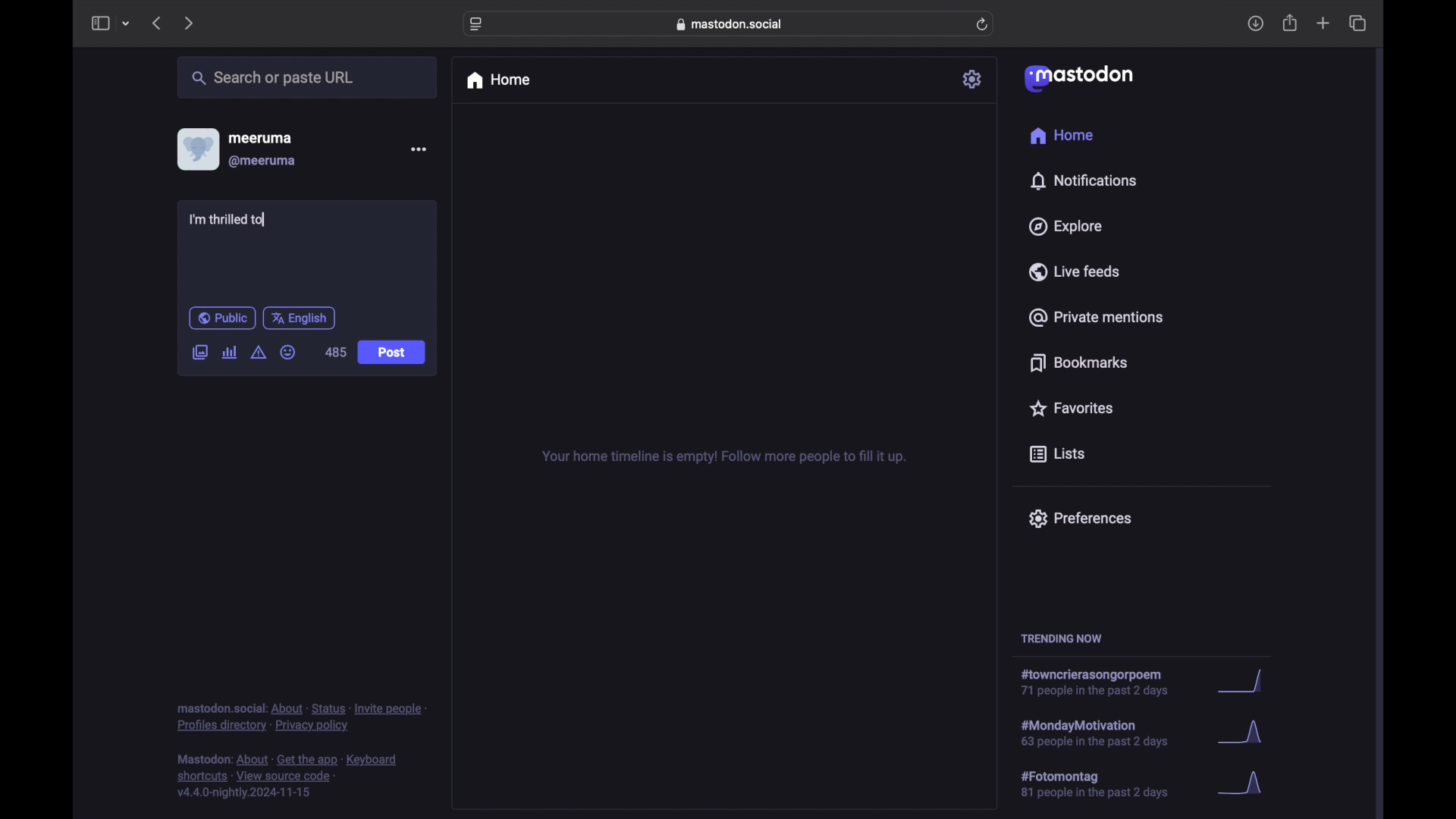 This screenshot has width=1456, height=819. I want to click on graph, so click(1246, 682).